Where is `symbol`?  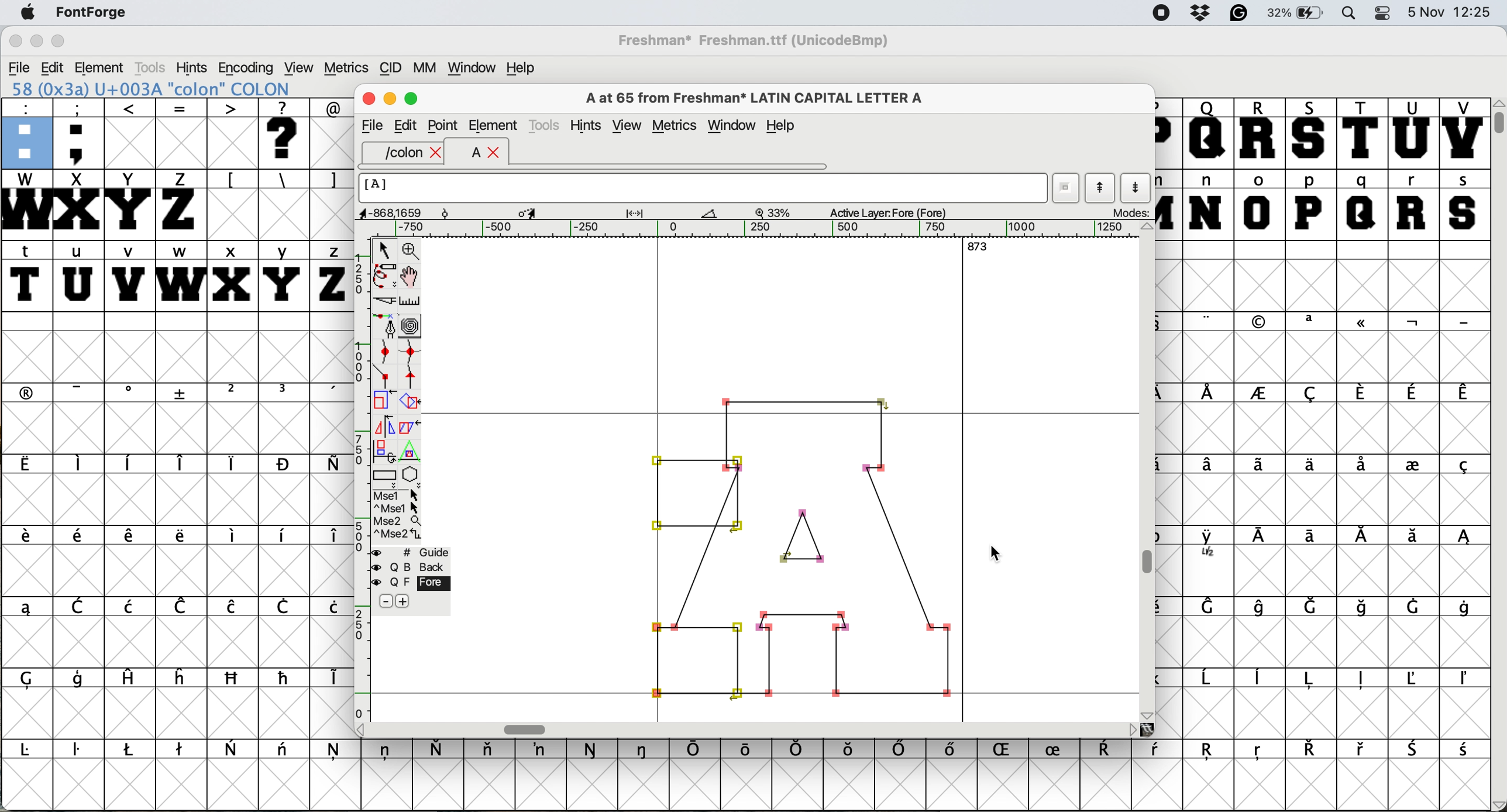
symbol is located at coordinates (1312, 322).